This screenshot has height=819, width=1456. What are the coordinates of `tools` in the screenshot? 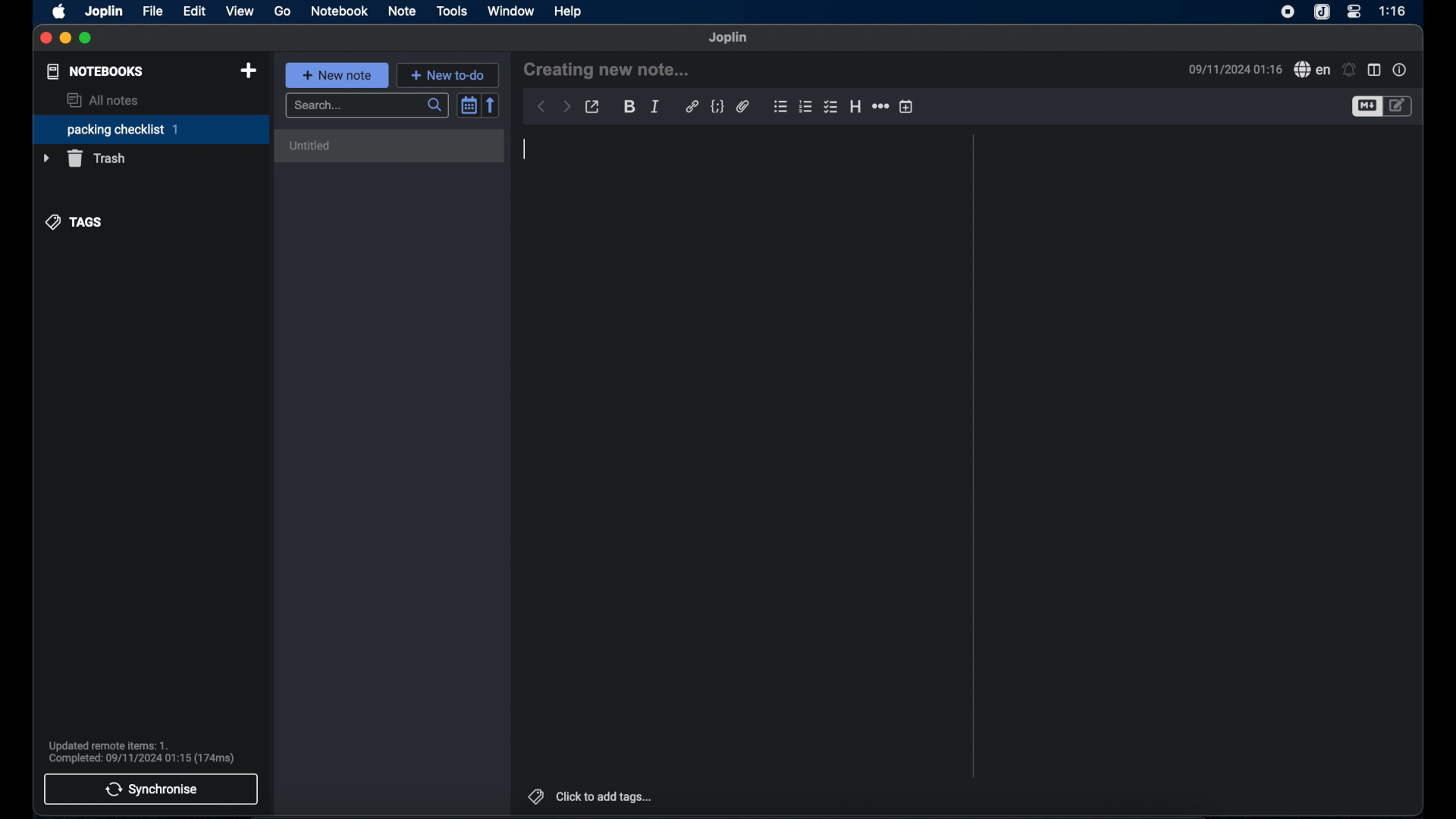 It's located at (453, 11).